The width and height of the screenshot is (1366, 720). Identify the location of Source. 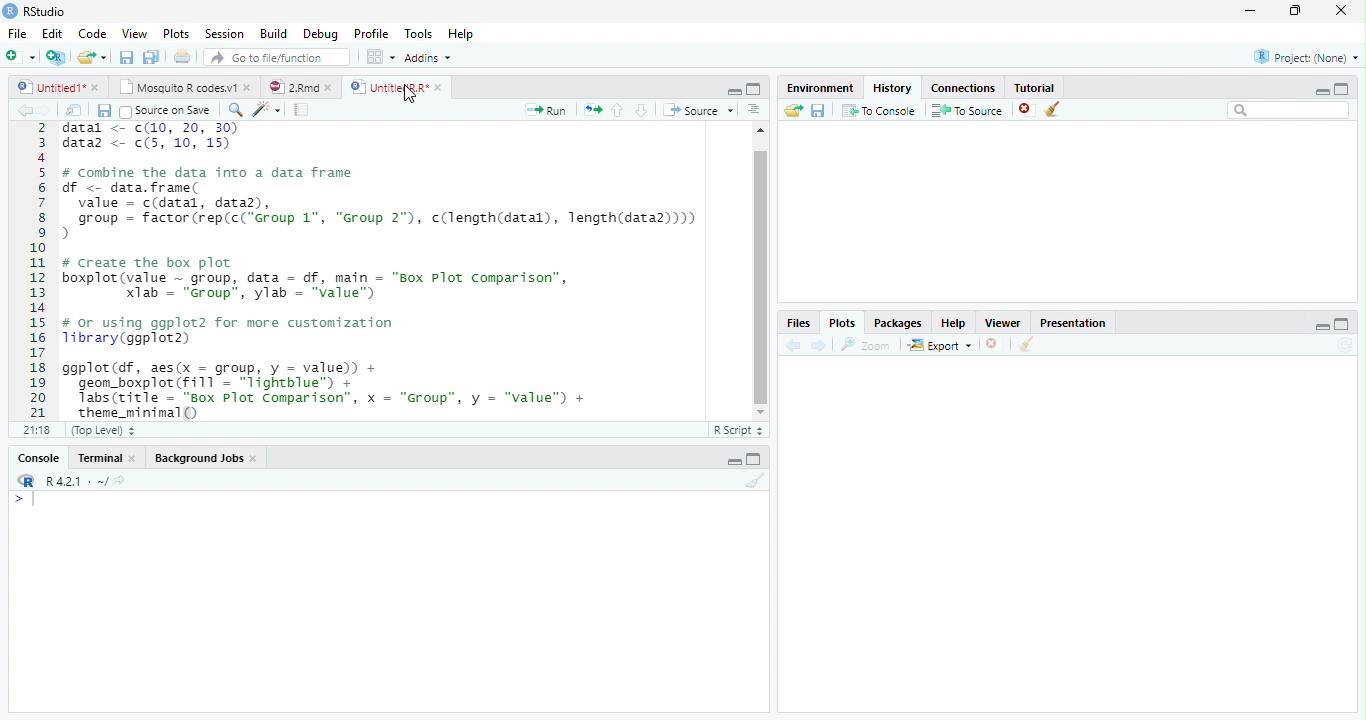
(699, 110).